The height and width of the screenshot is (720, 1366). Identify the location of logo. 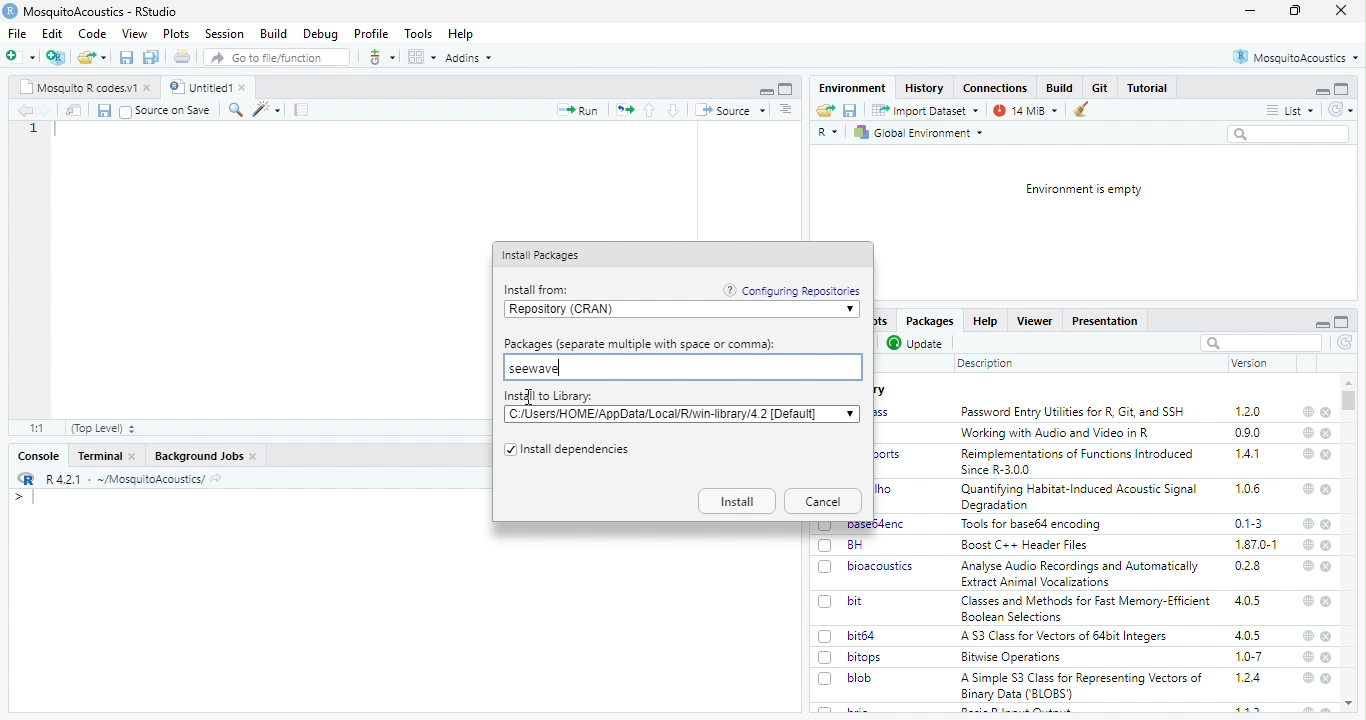
(10, 11).